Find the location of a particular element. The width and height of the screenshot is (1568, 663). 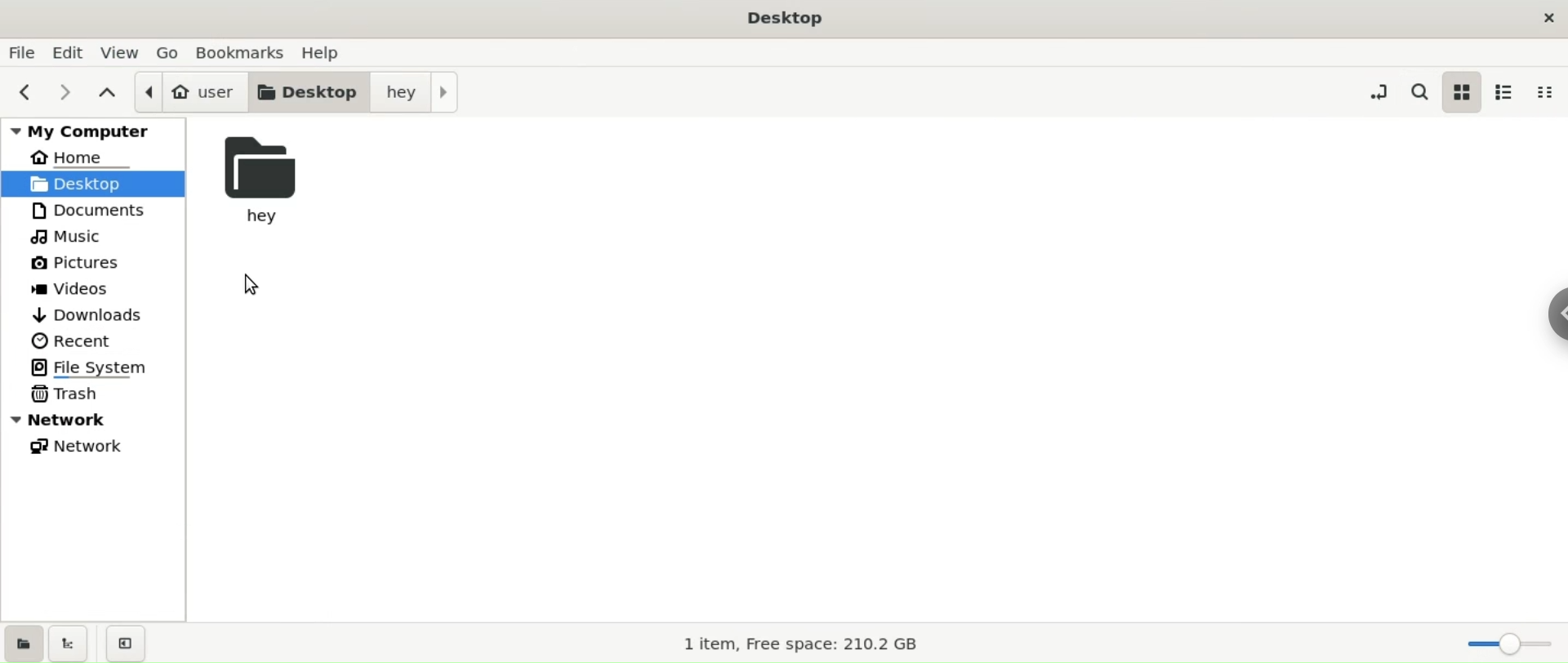

videos is located at coordinates (104, 291).